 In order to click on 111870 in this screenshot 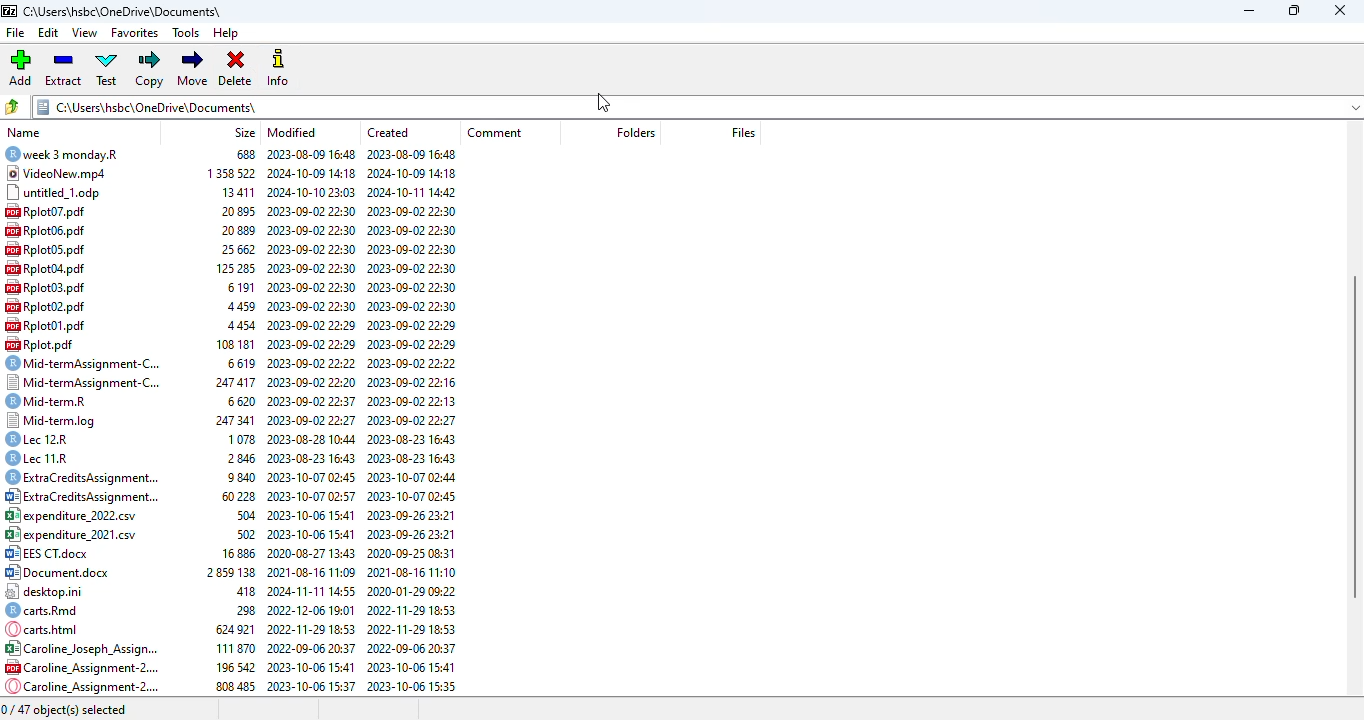, I will do `click(233, 647)`.